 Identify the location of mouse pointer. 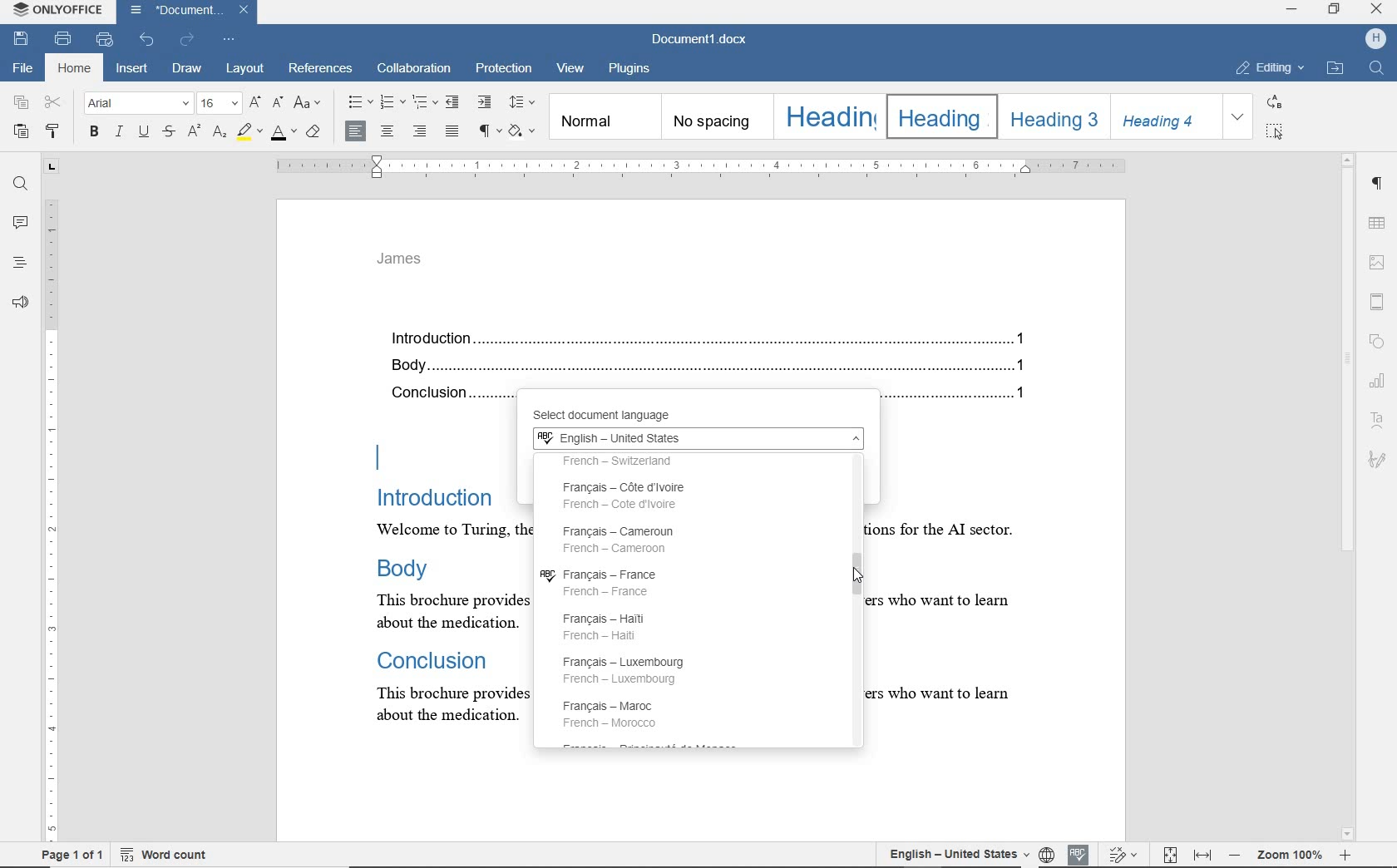
(861, 579).